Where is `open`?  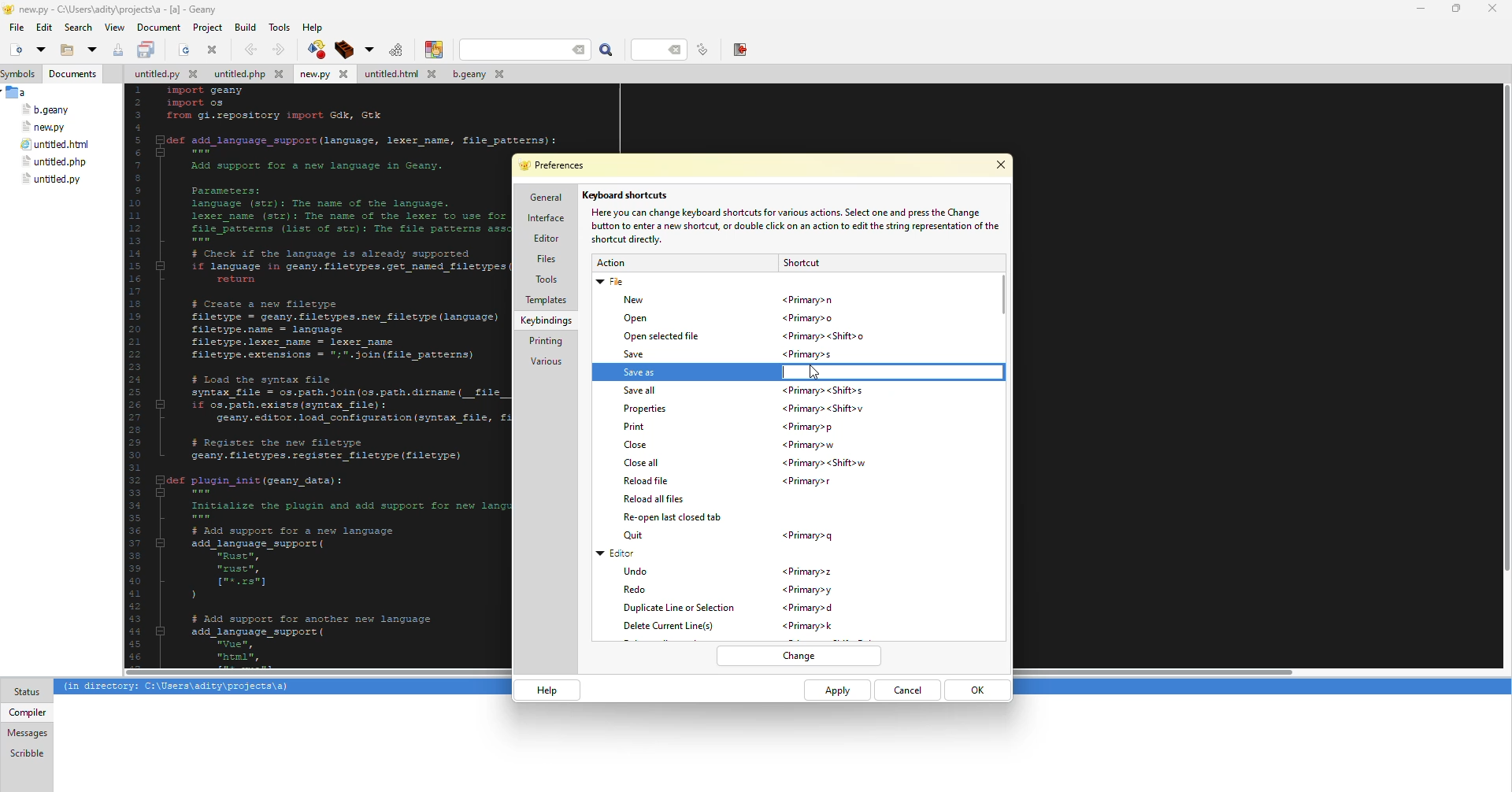
open is located at coordinates (39, 49).